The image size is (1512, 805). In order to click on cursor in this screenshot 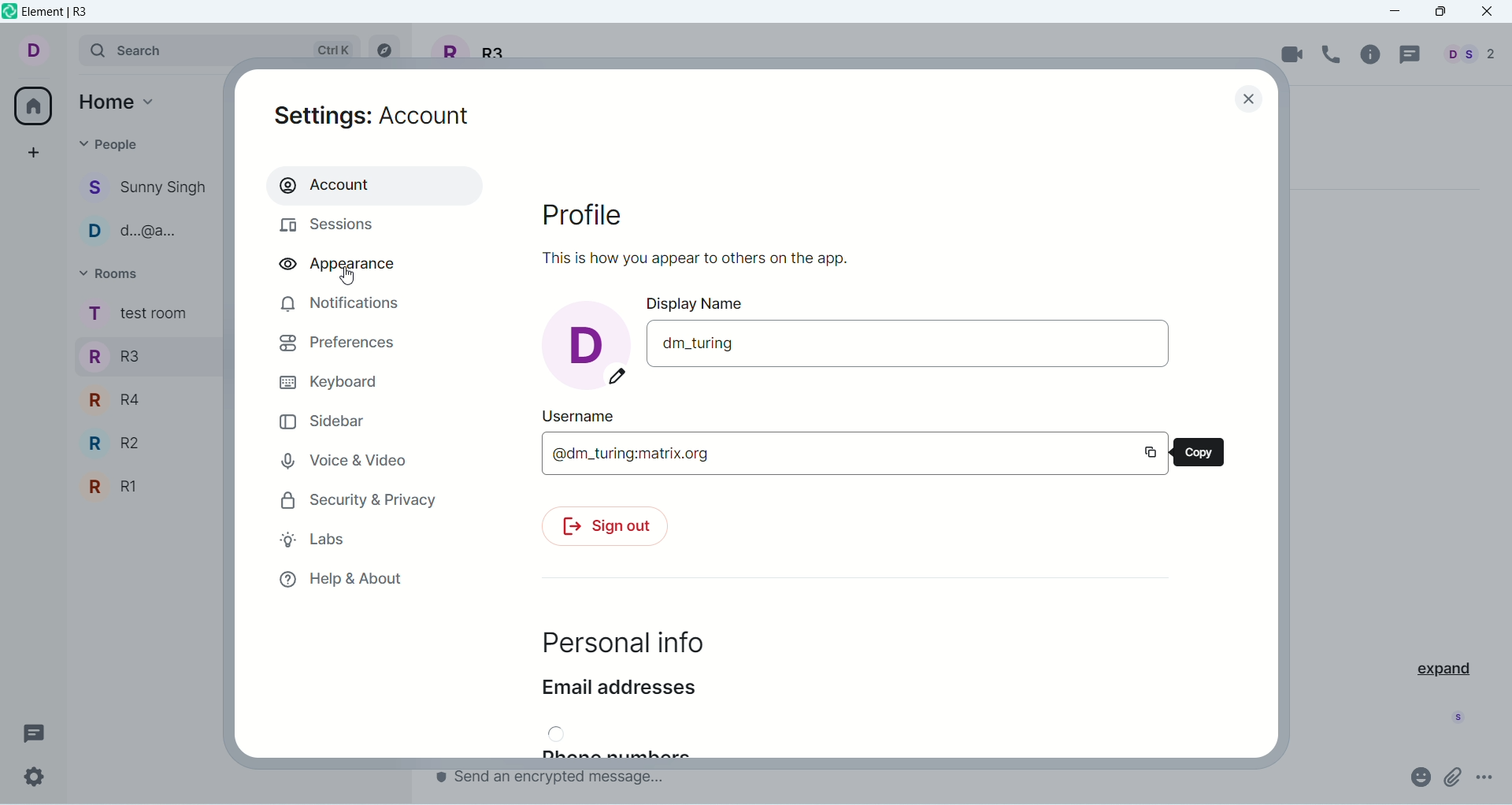, I will do `click(349, 279)`.